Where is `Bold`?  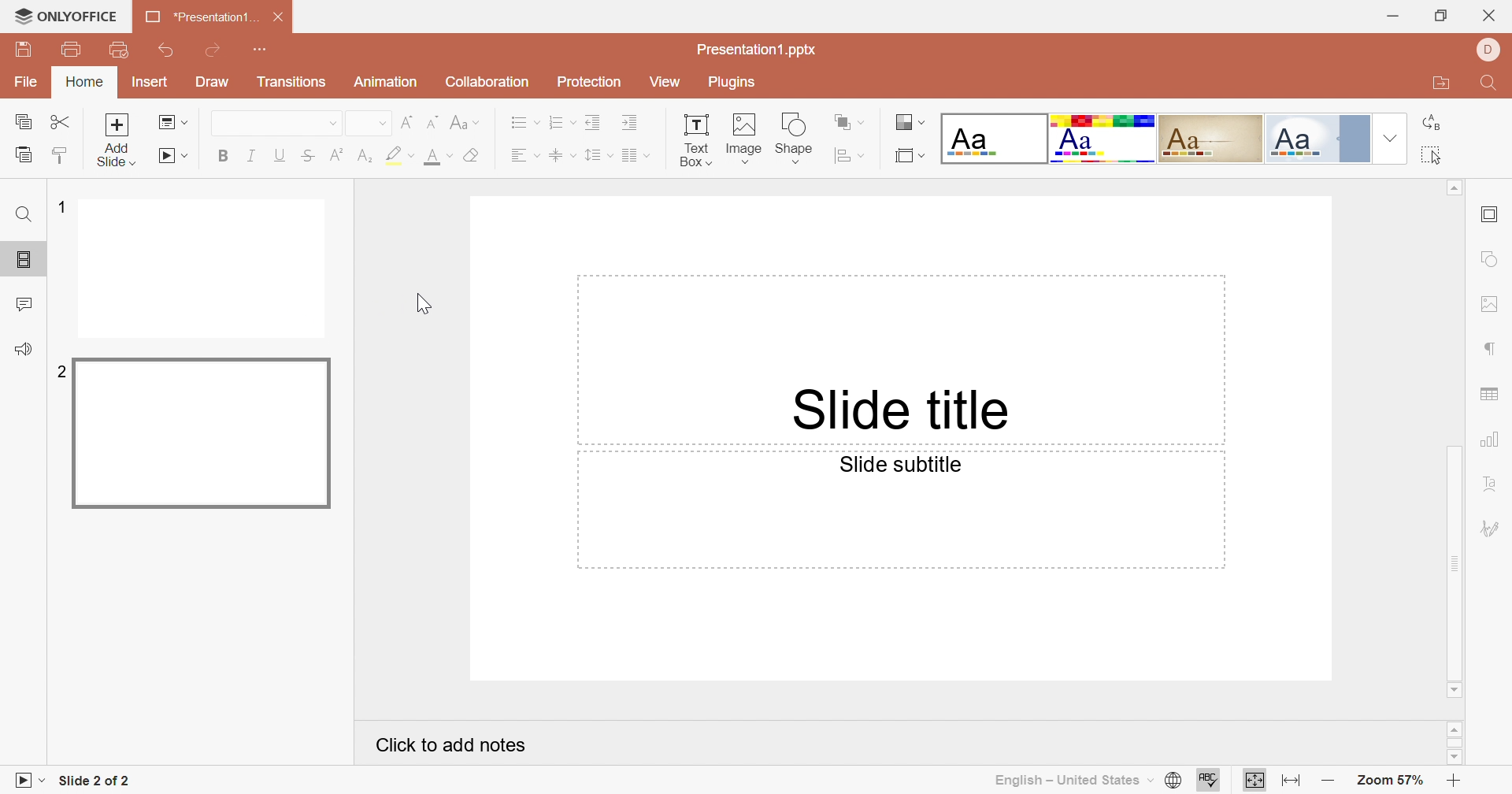
Bold is located at coordinates (224, 154).